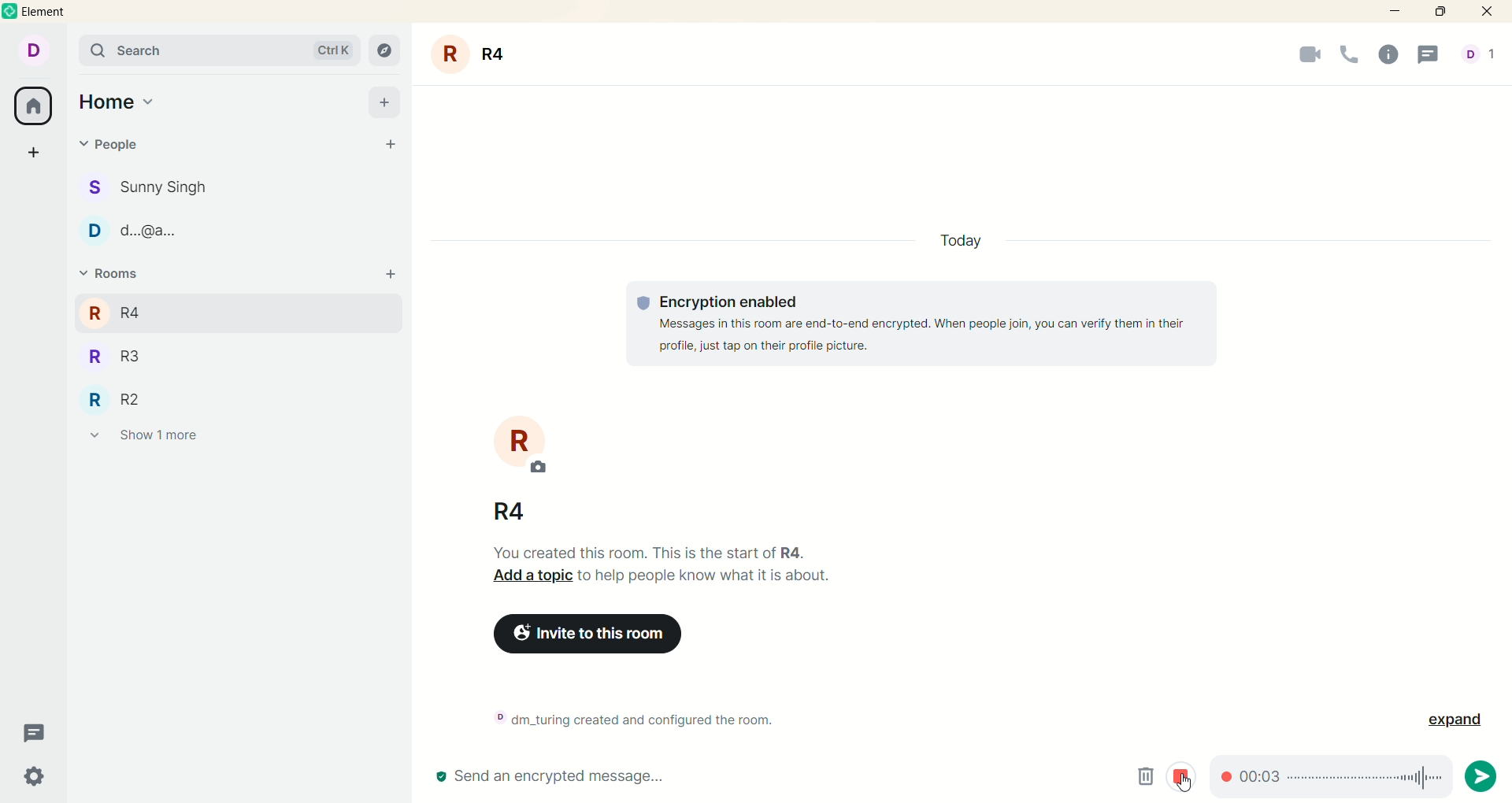 Image resolution: width=1512 pixels, height=803 pixels. I want to click on minimize, so click(1392, 13).